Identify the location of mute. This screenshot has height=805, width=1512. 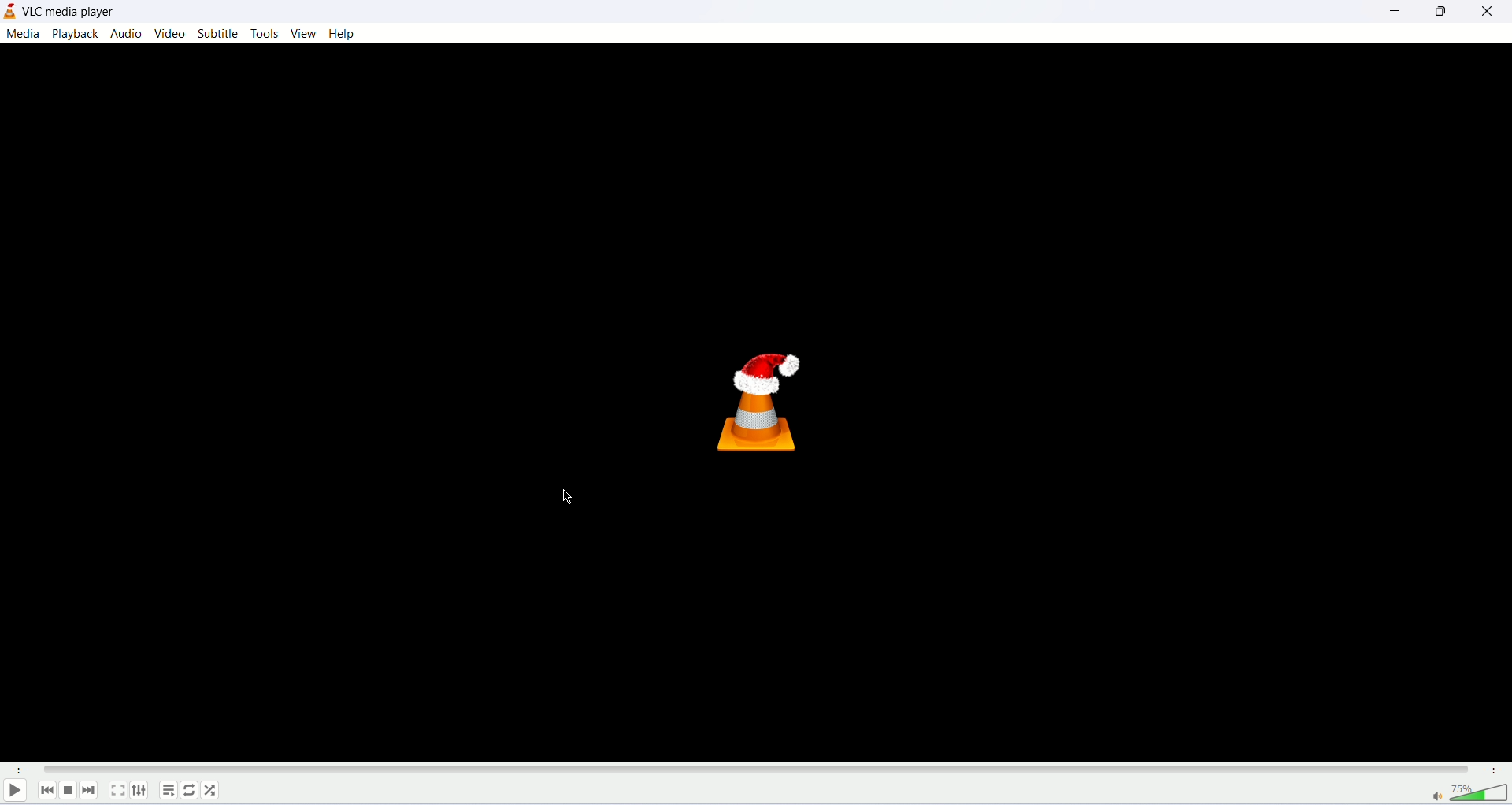
(1437, 796).